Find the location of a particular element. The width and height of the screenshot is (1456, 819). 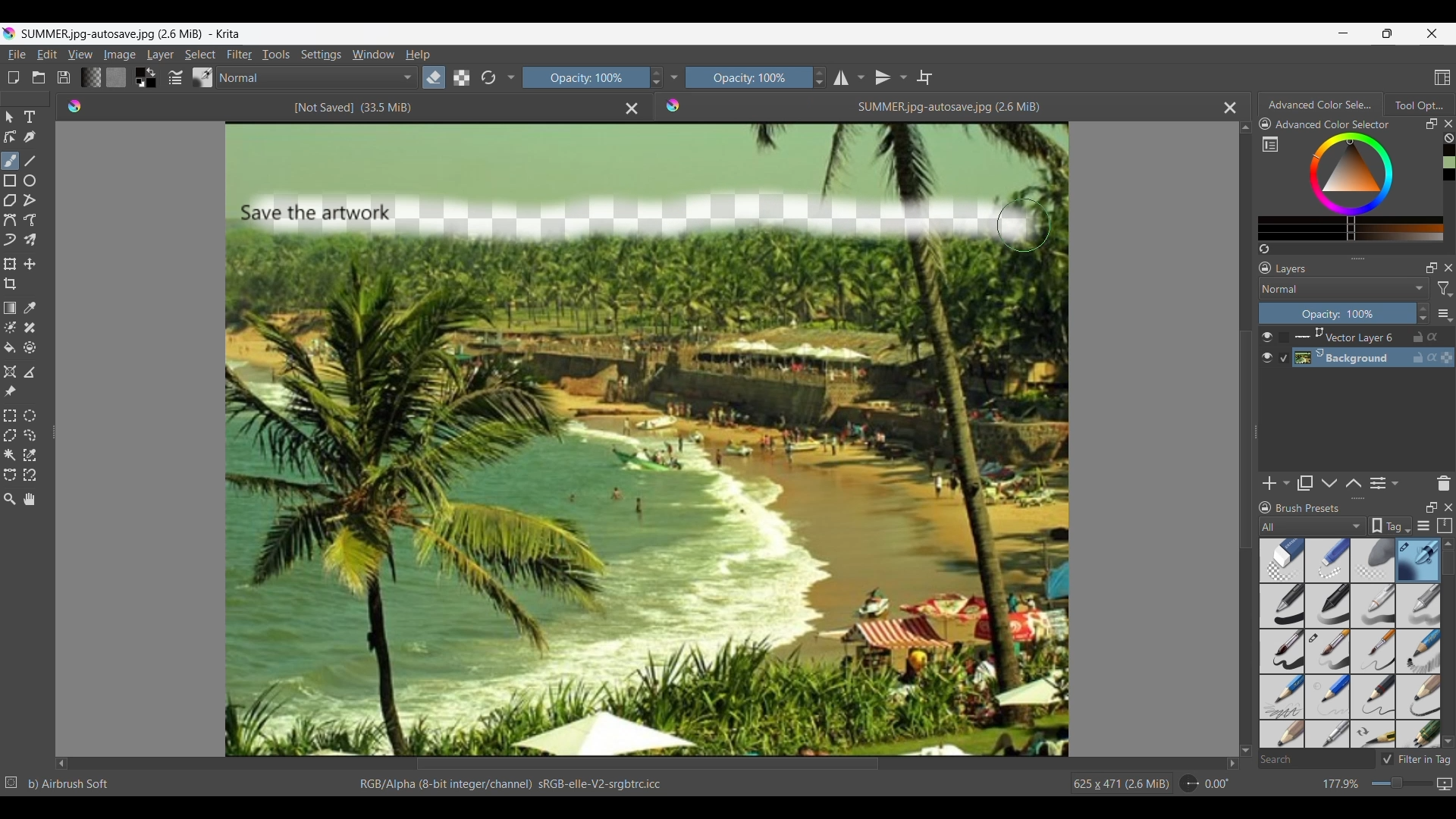

Move layer down is located at coordinates (1329, 483).